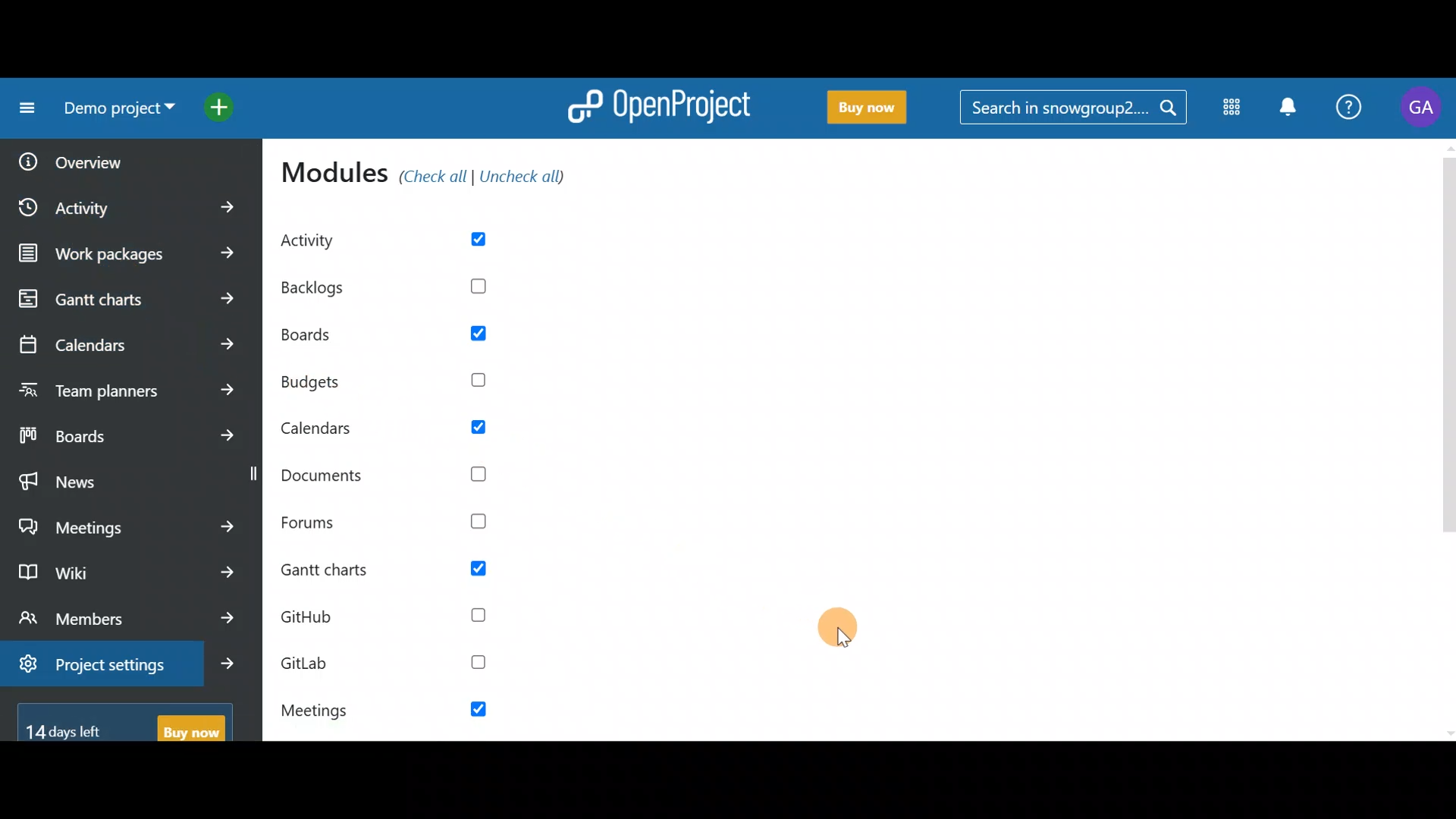 This screenshot has height=819, width=1456. I want to click on Wiki, so click(128, 574).